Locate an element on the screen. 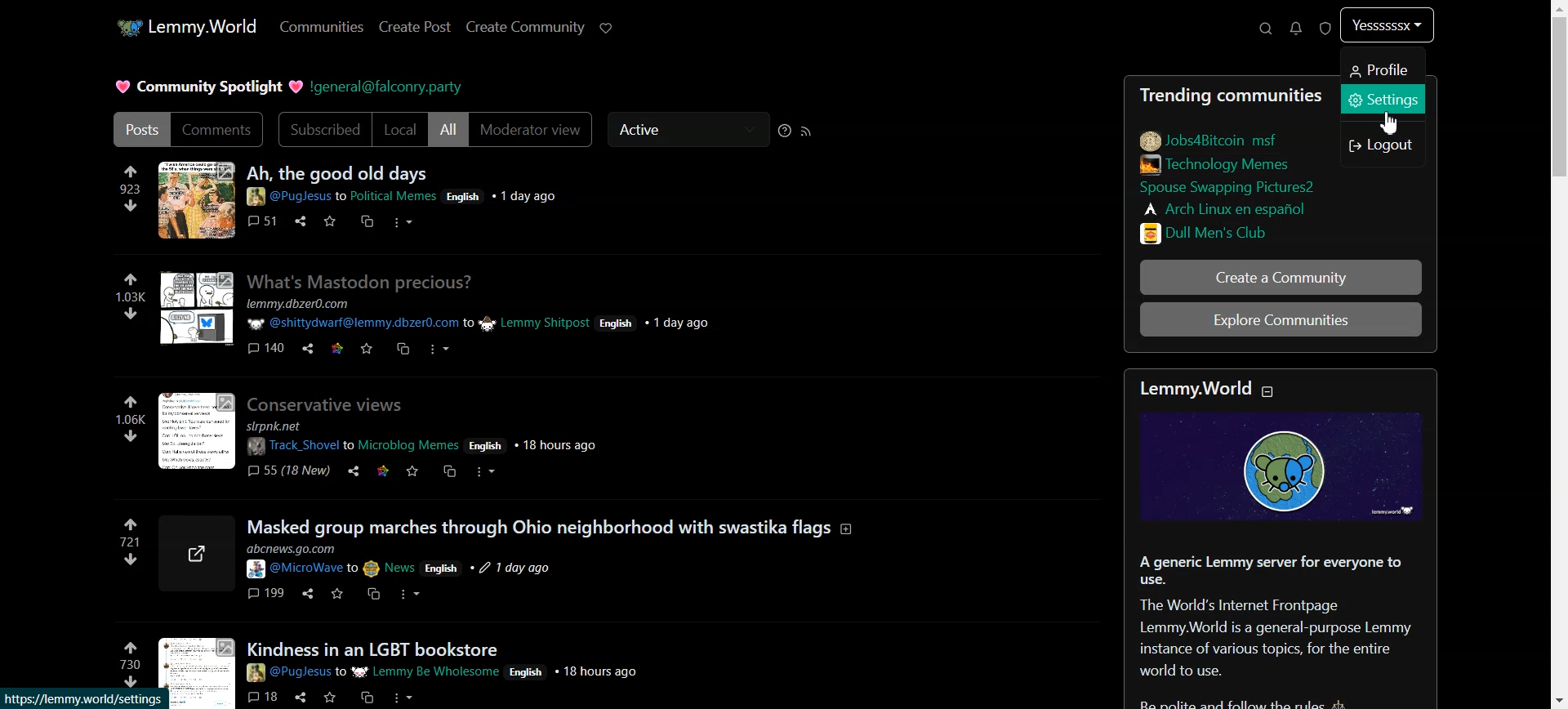  save is located at coordinates (332, 220).